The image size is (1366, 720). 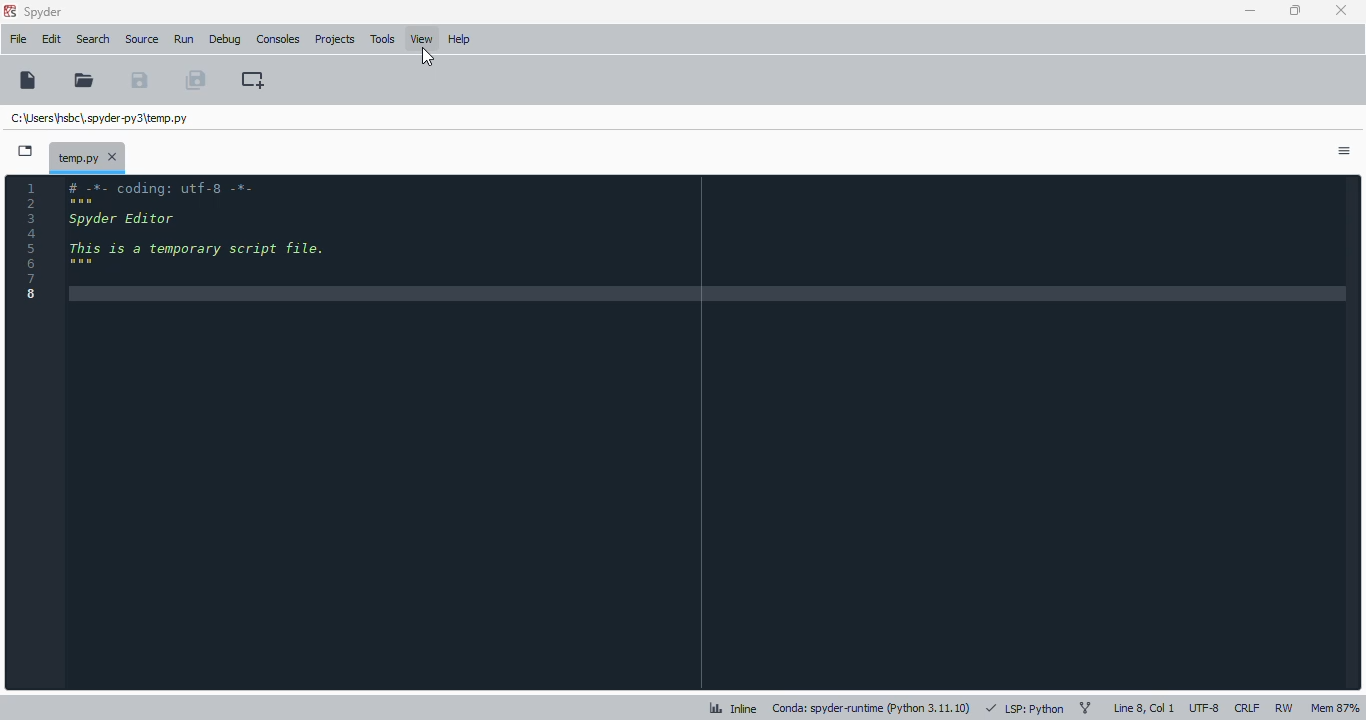 What do you see at coordinates (184, 40) in the screenshot?
I see `run` at bounding box center [184, 40].